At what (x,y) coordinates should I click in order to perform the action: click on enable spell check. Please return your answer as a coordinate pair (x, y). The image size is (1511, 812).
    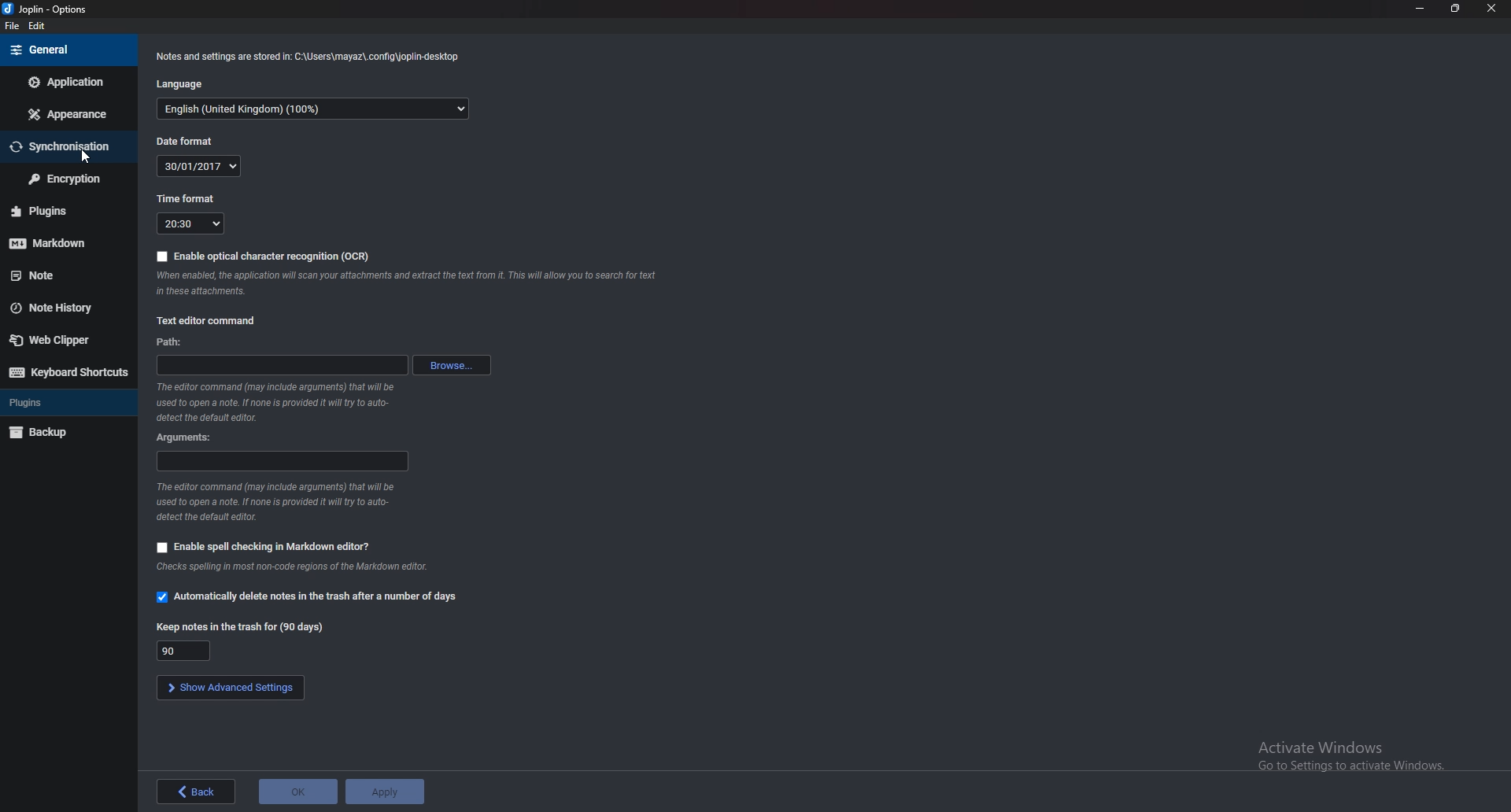
    Looking at the image, I should click on (258, 545).